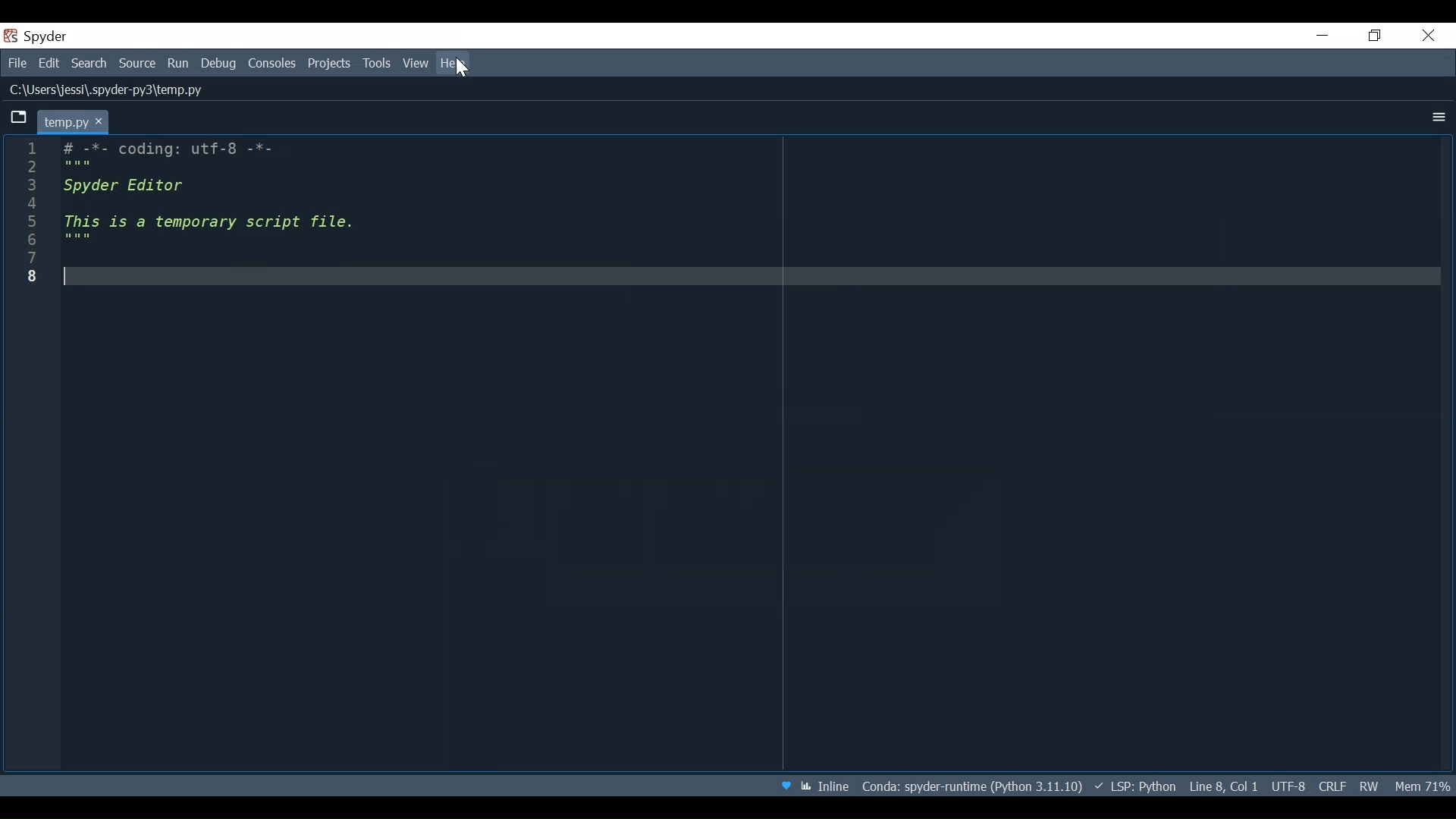 The height and width of the screenshot is (819, 1456). I want to click on Search, so click(88, 64).